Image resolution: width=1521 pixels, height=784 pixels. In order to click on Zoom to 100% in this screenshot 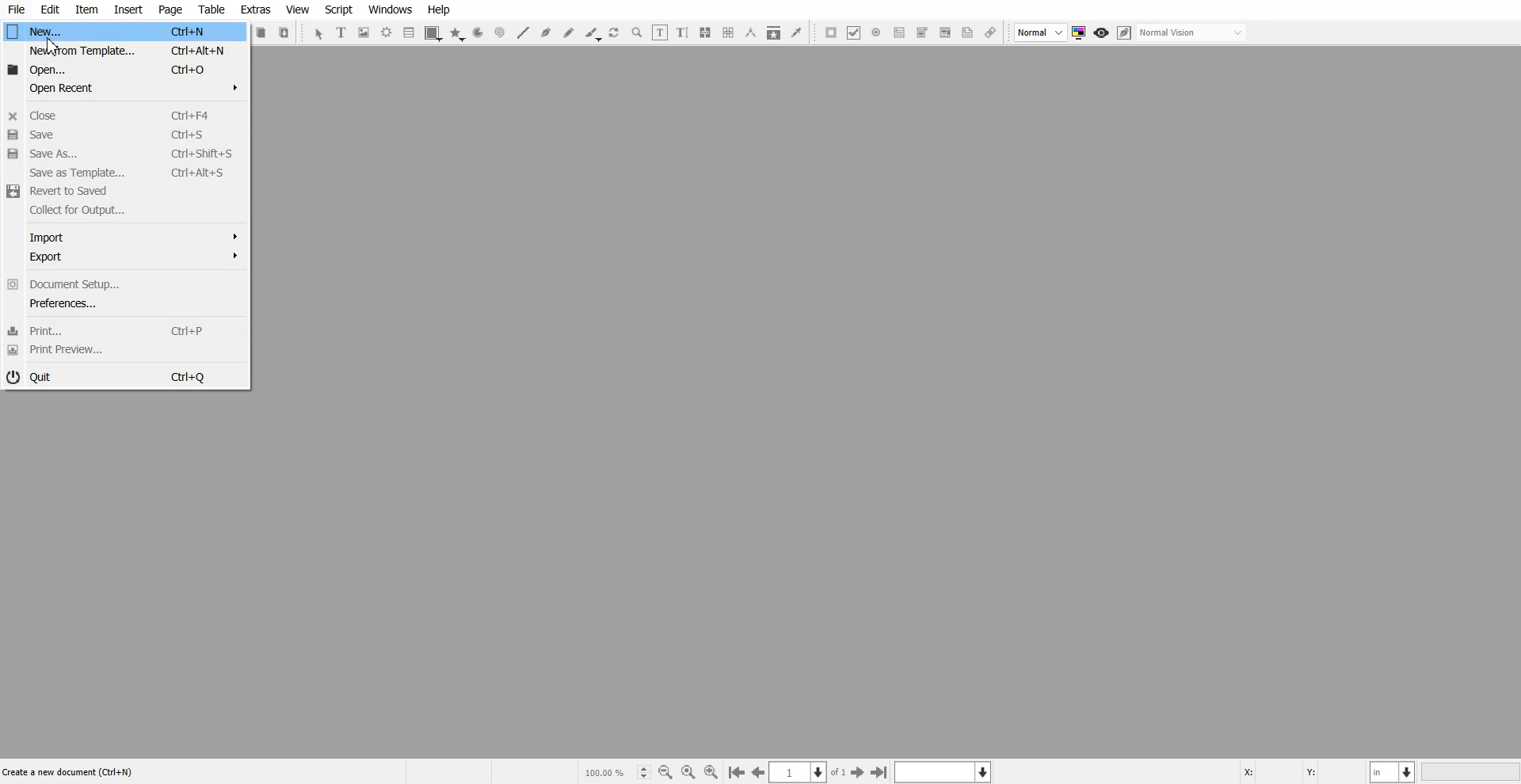, I will do `click(688, 771)`.